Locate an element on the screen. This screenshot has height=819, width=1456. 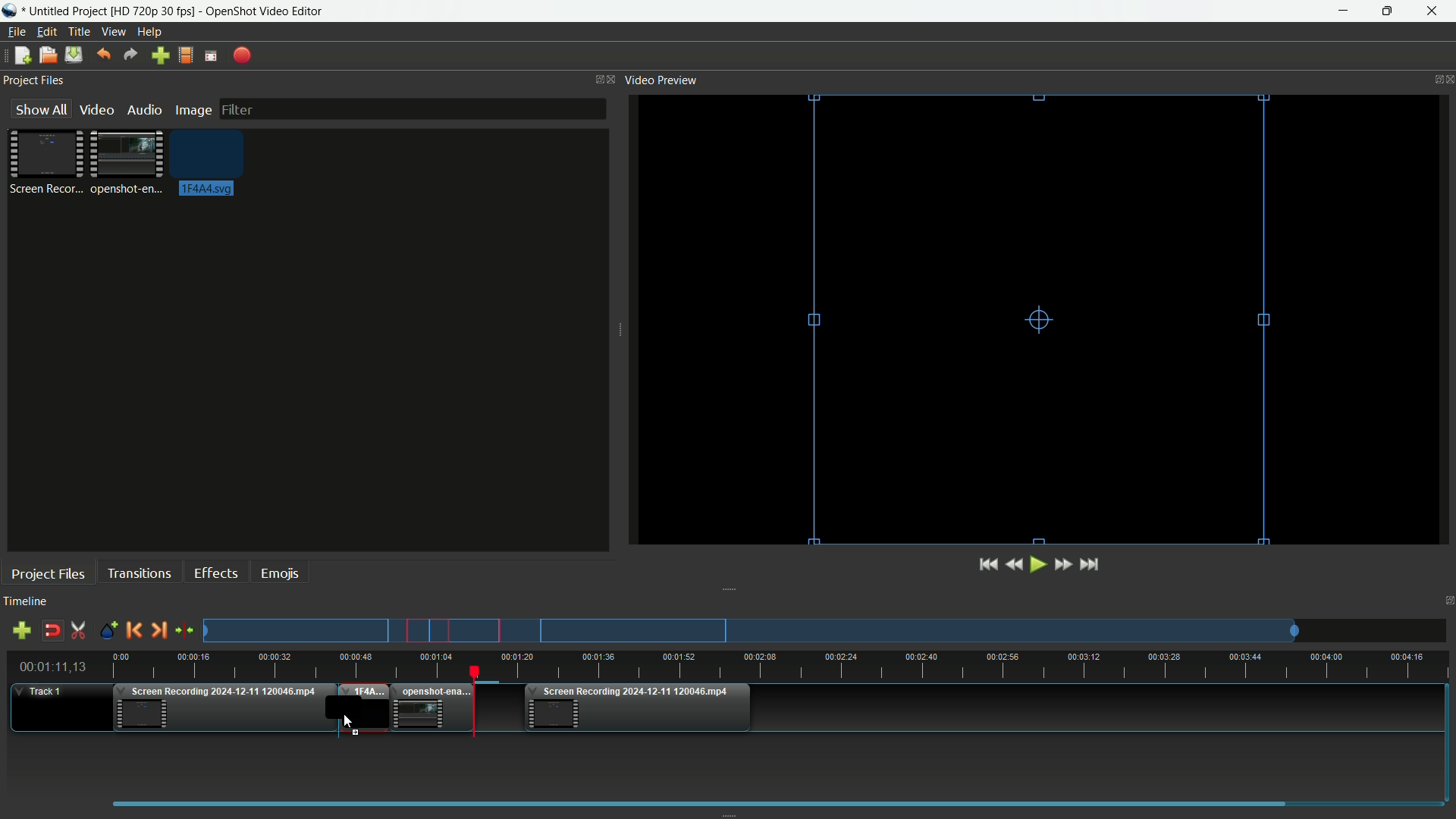
Image is located at coordinates (193, 111).